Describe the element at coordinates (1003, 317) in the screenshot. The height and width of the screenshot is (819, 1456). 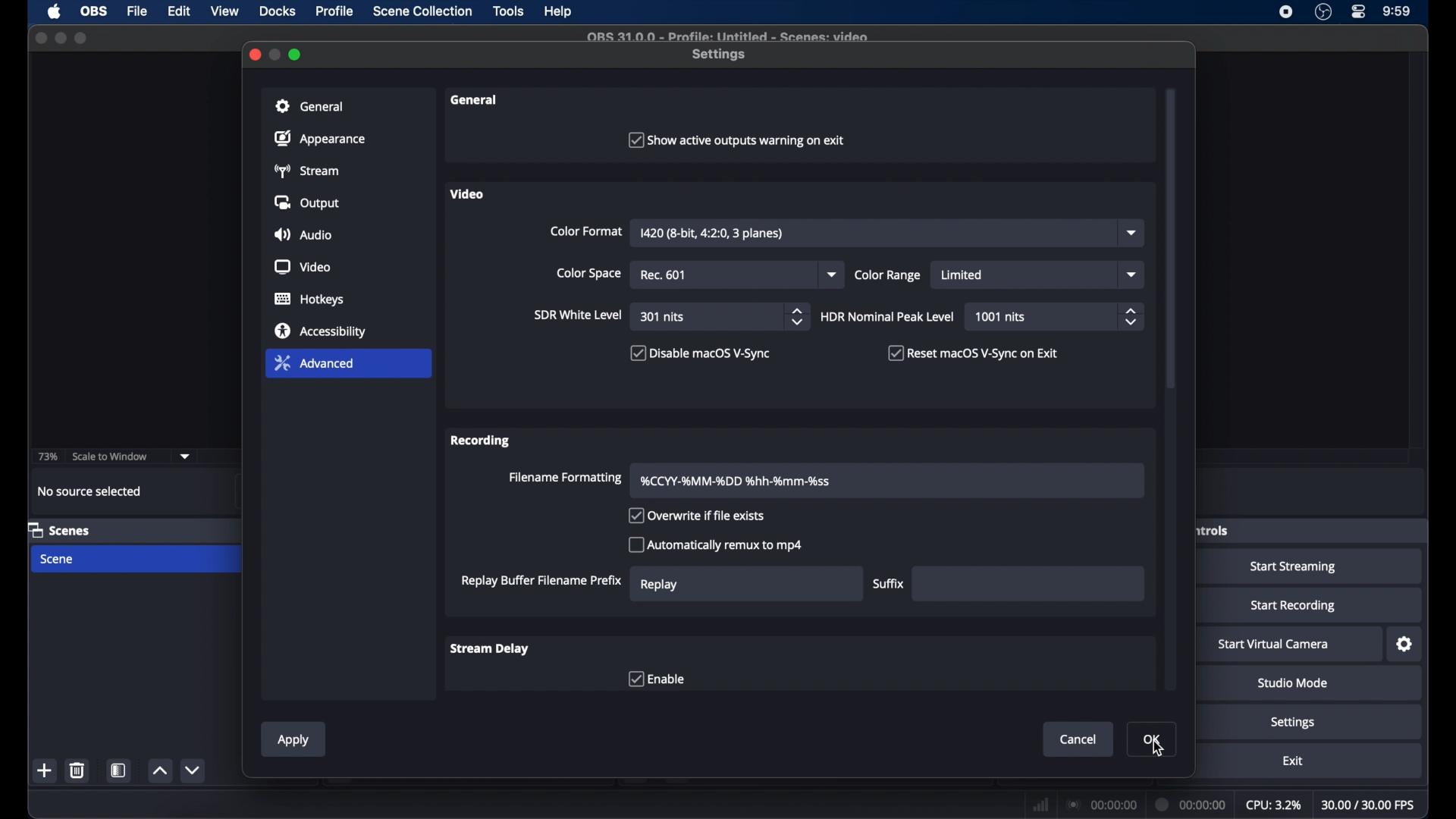
I see `1001 nits` at that location.